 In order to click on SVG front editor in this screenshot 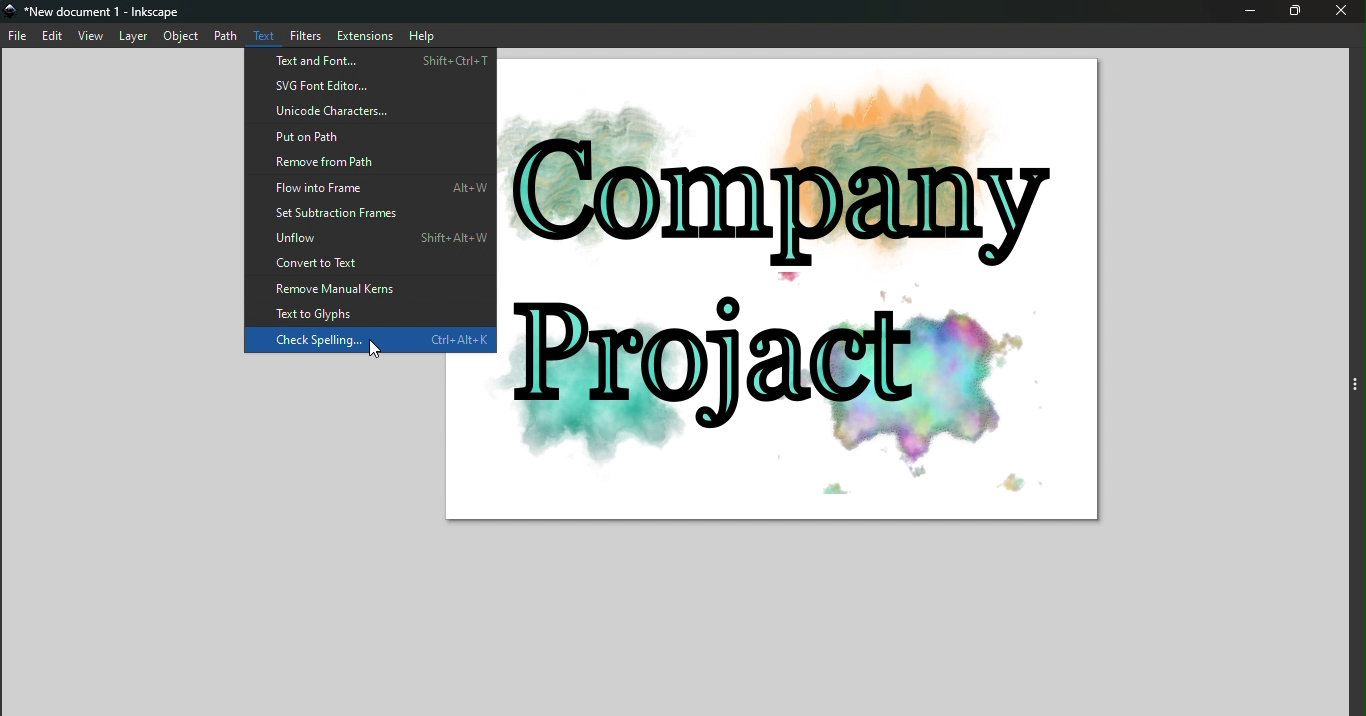, I will do `click(371, 85)`.